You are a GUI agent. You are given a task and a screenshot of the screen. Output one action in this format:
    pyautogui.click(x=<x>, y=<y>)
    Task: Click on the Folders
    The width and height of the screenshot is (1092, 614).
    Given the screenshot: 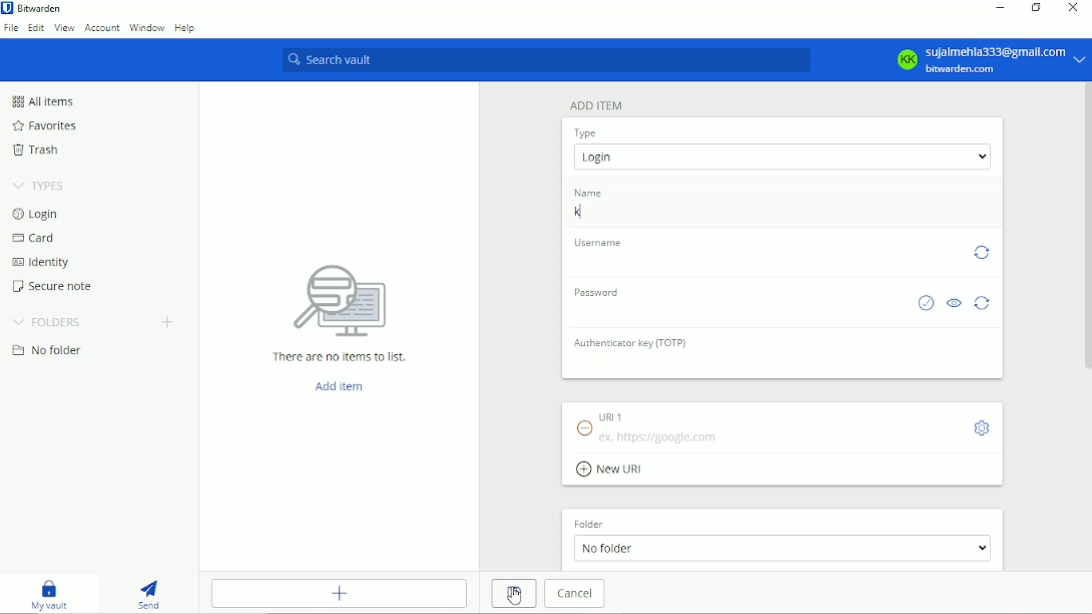 What is the action you would take?
    pyautogui.click(x=50, y=320)
    